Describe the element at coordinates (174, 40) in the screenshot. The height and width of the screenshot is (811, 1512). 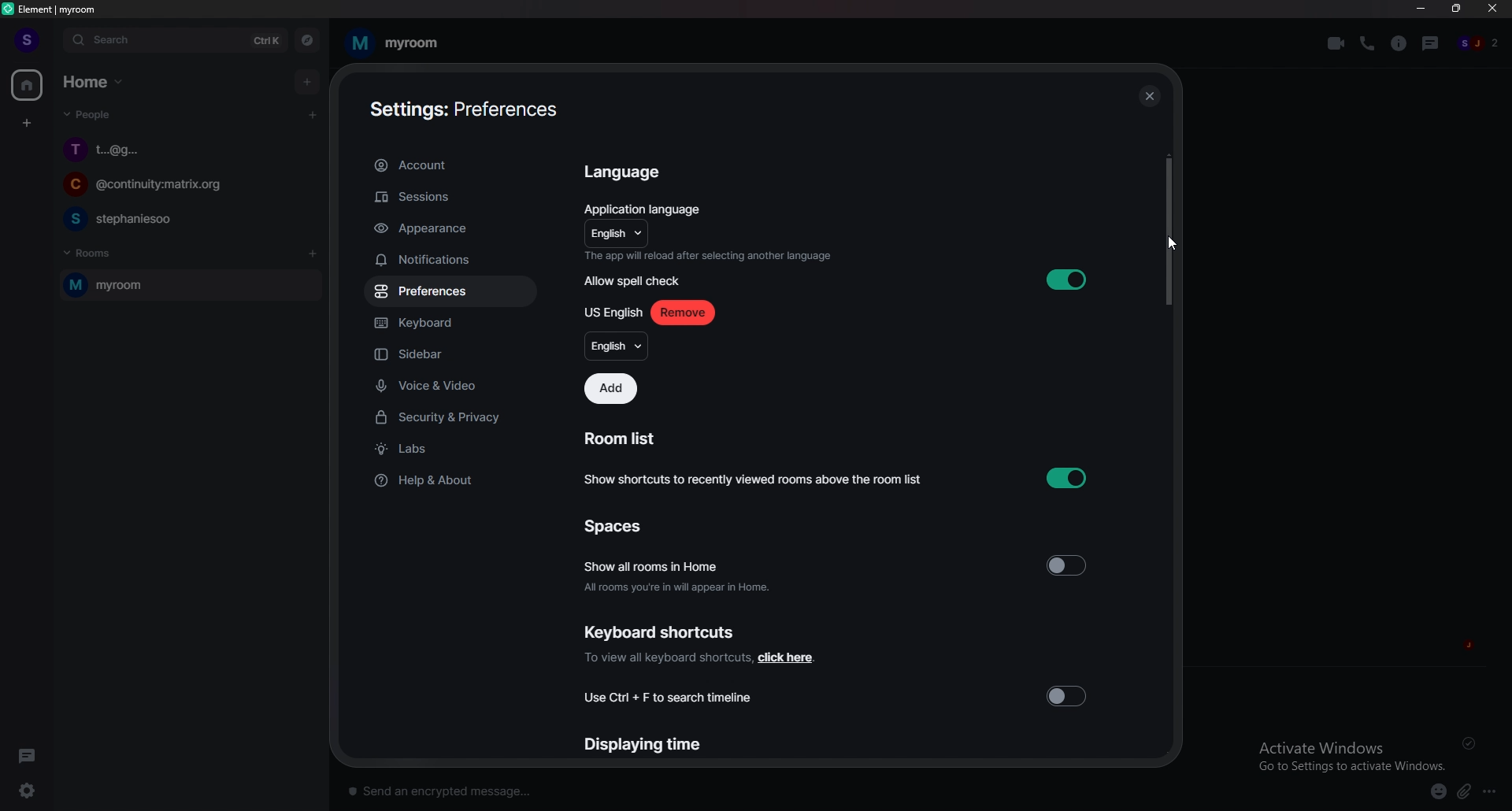
I see `search` at that location.